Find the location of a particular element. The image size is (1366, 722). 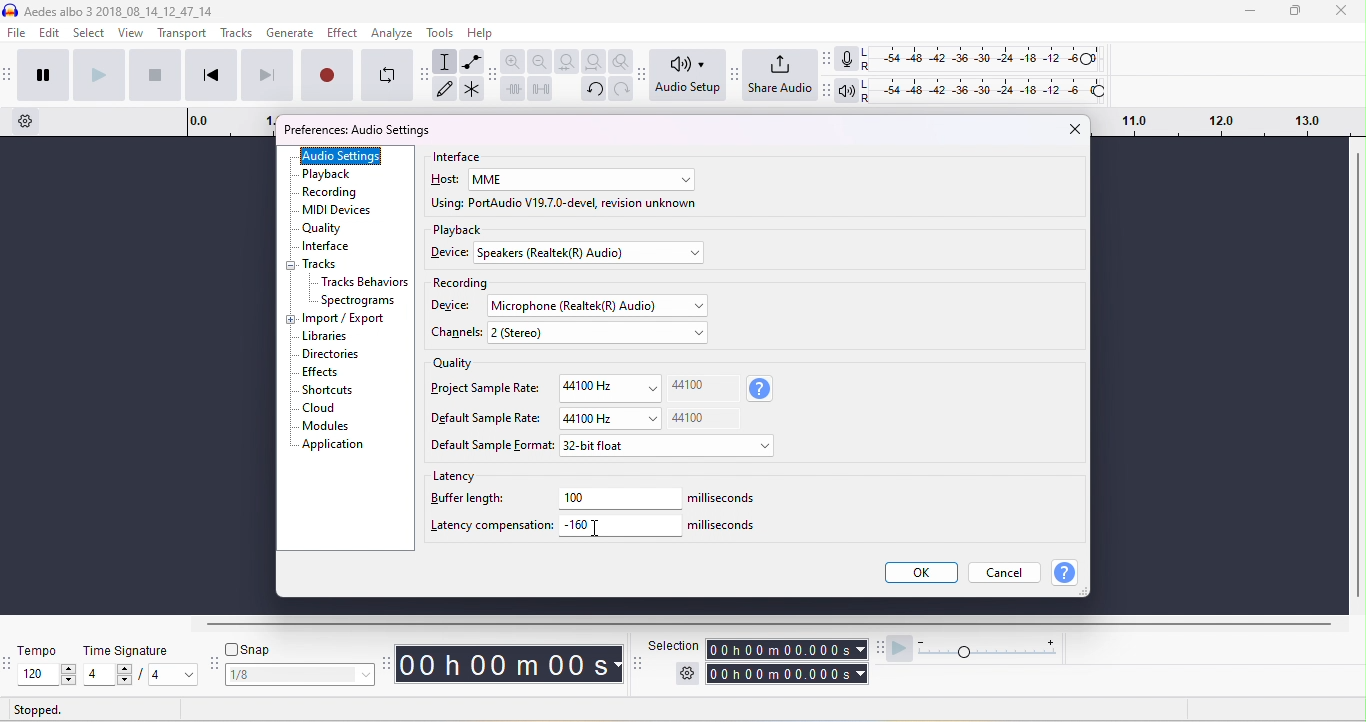

multi tool is located at coordinates (472, 92).